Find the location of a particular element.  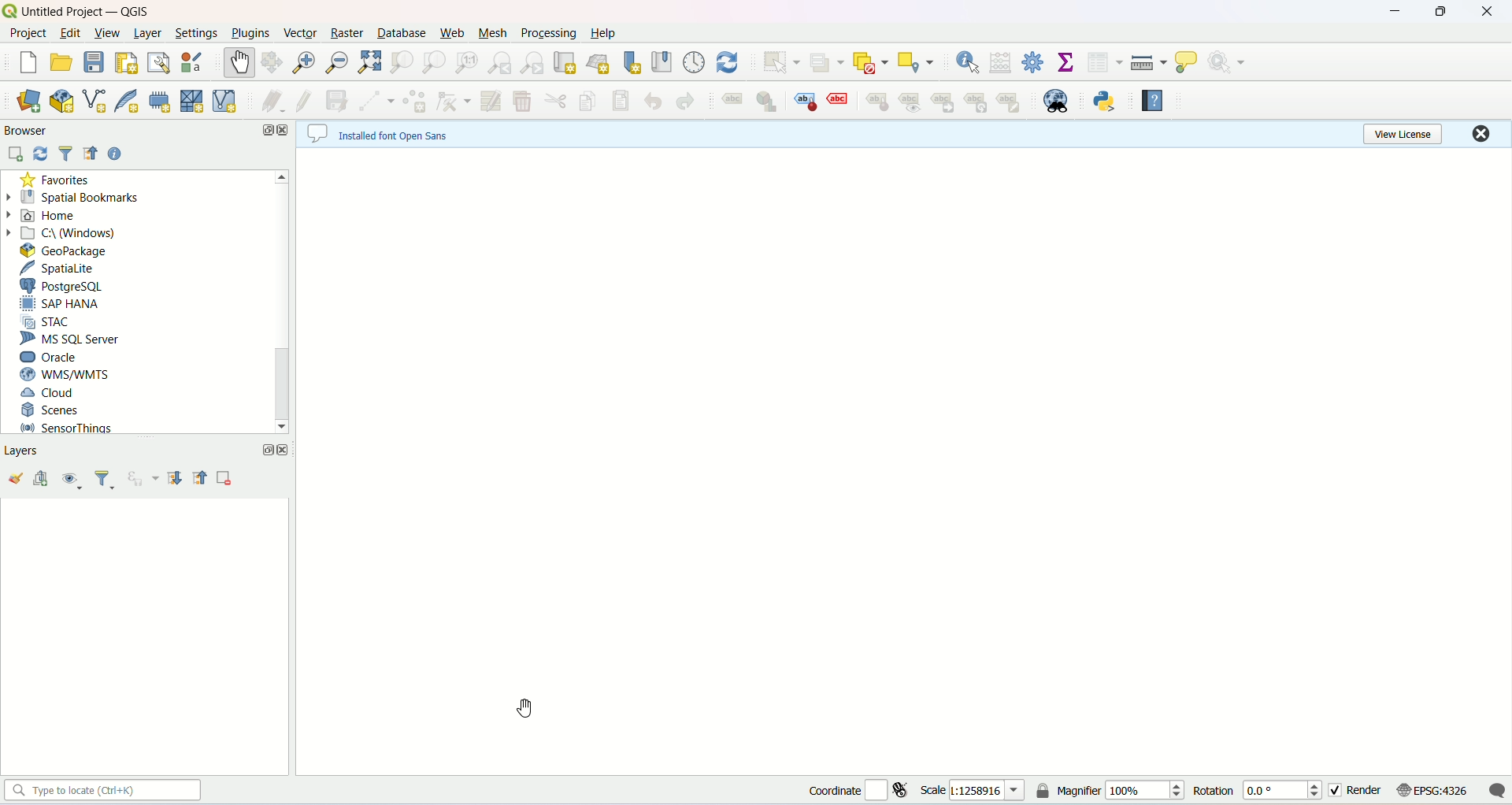

add is located at coordinates (16, 154).